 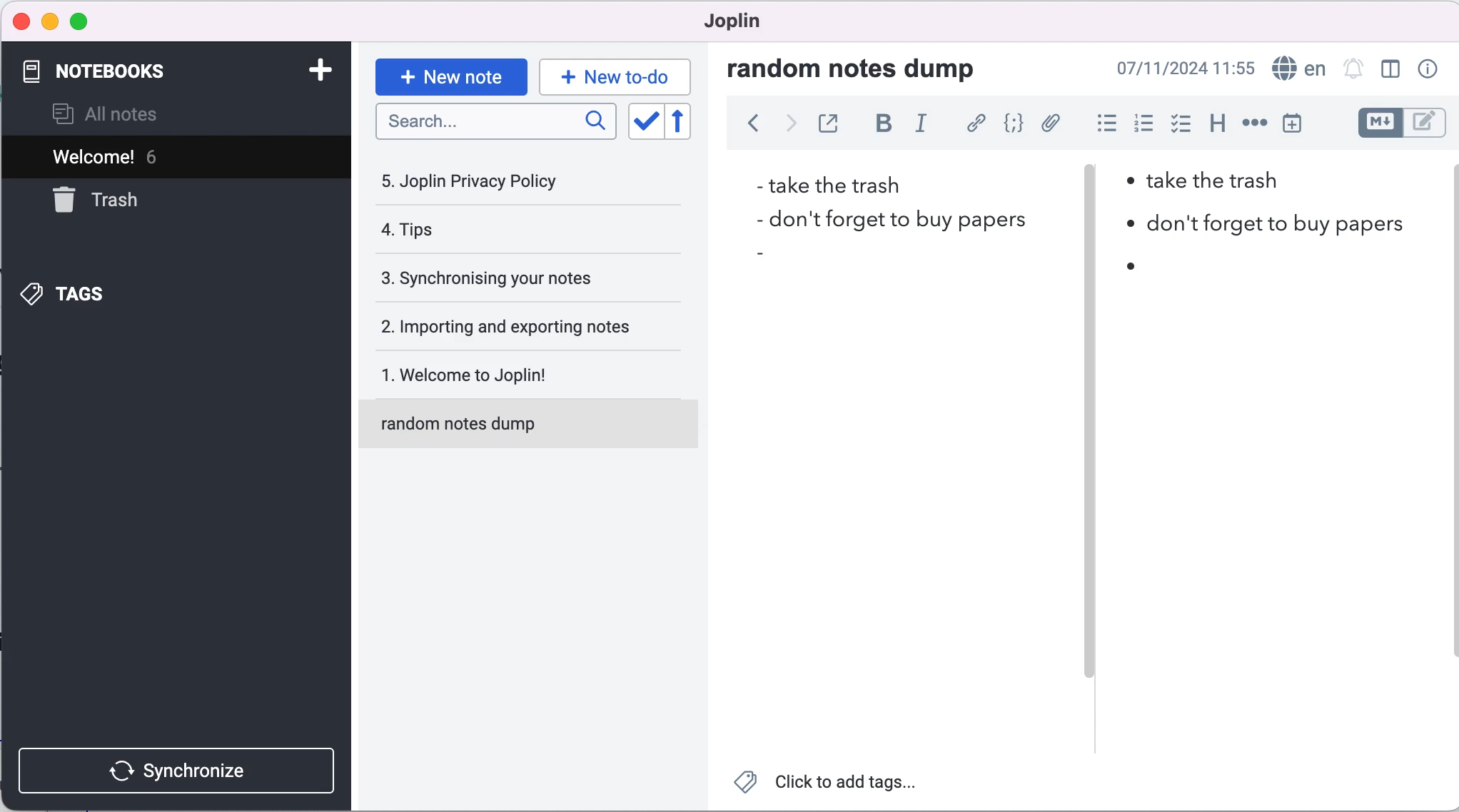 I want to click on welcome! 6, so click(x=138, y=156).